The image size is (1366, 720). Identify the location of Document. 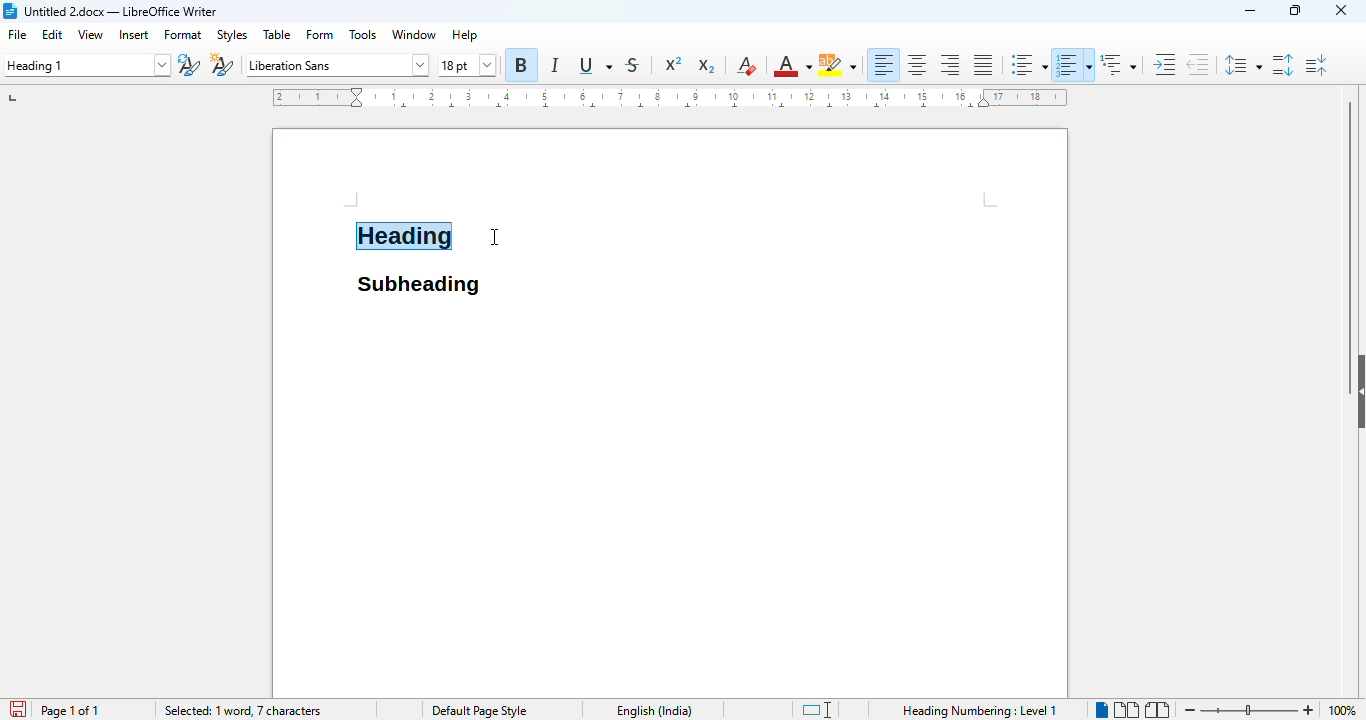
(671, 500).